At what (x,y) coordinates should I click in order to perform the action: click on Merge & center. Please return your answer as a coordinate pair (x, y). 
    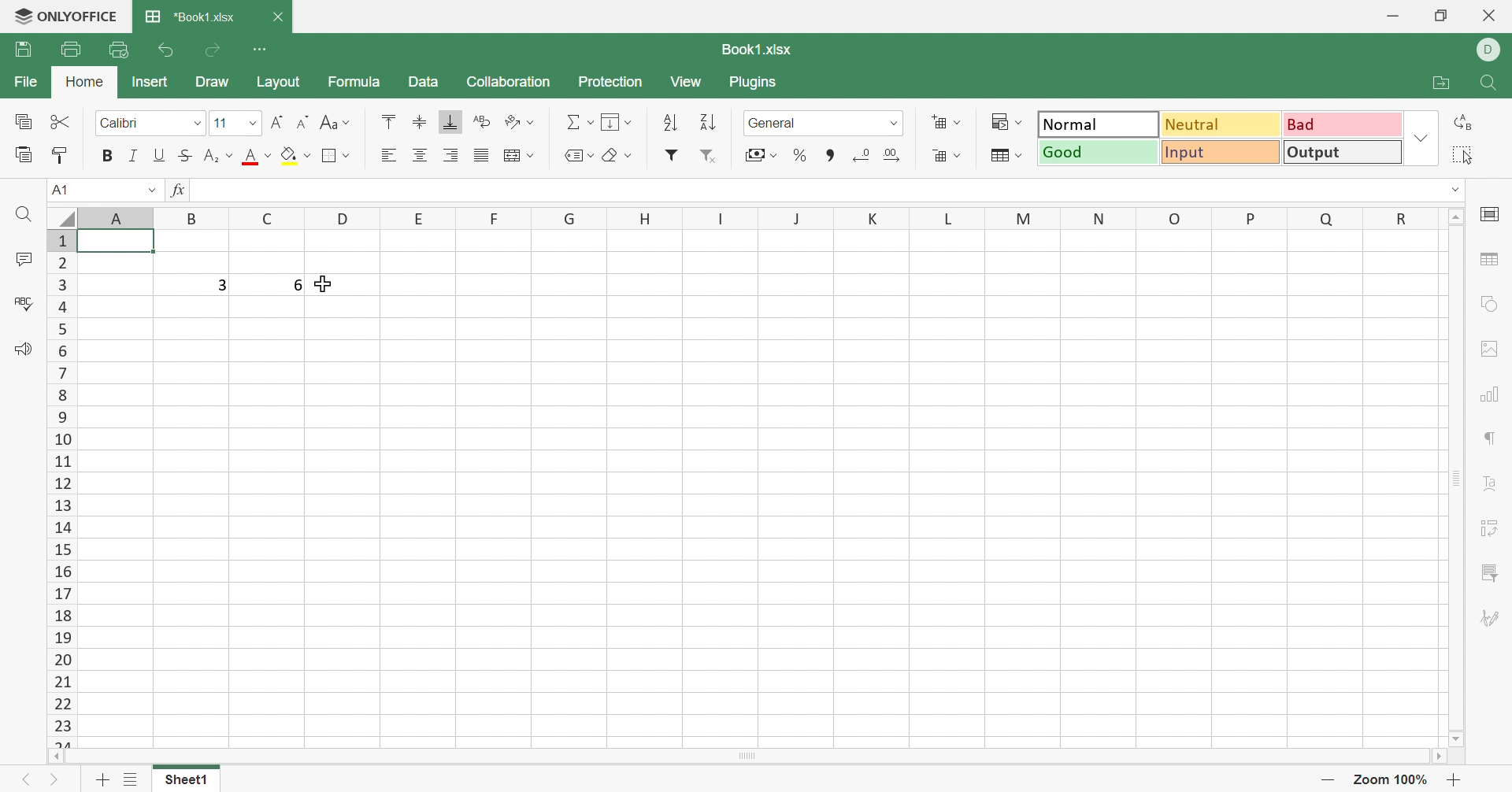
    Looking at the image, I should click on (516, 157).